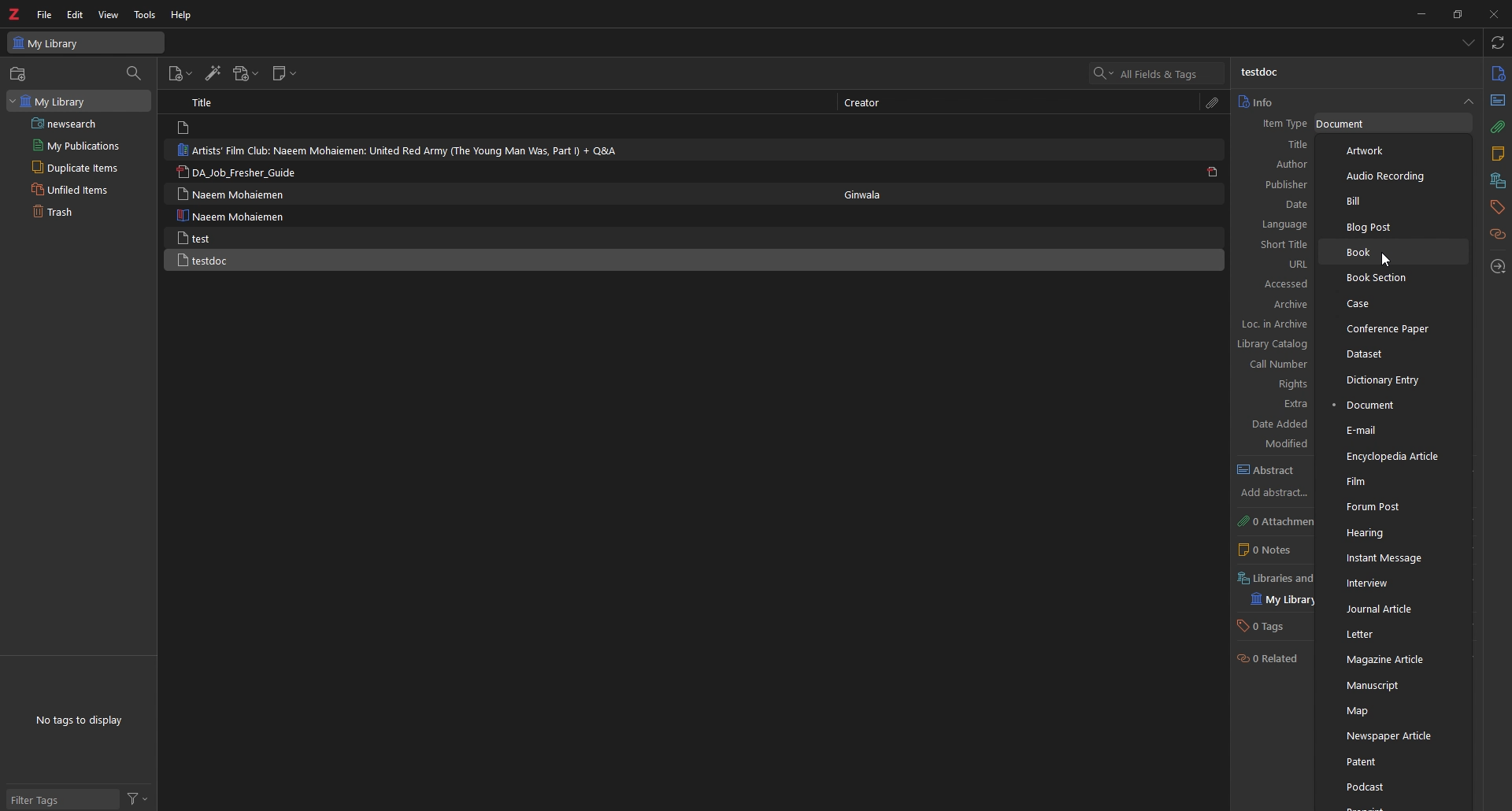  Describe the element at coordinates (1498, 155) in the screenshot. I see `notes` at that location.